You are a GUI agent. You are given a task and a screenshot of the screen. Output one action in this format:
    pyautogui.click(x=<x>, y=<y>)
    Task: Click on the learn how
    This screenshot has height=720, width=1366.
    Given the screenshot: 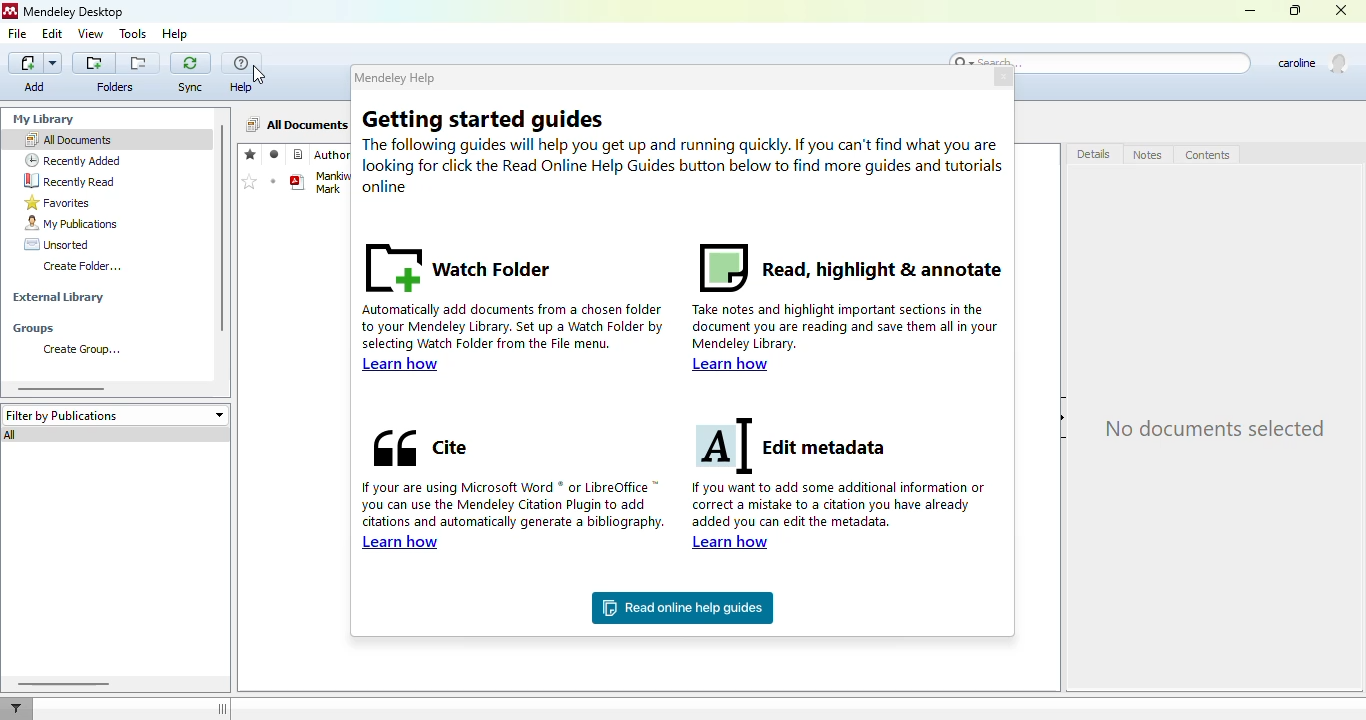 What is the action you would take?
    pyautogui.click(x=401, y=364)
    